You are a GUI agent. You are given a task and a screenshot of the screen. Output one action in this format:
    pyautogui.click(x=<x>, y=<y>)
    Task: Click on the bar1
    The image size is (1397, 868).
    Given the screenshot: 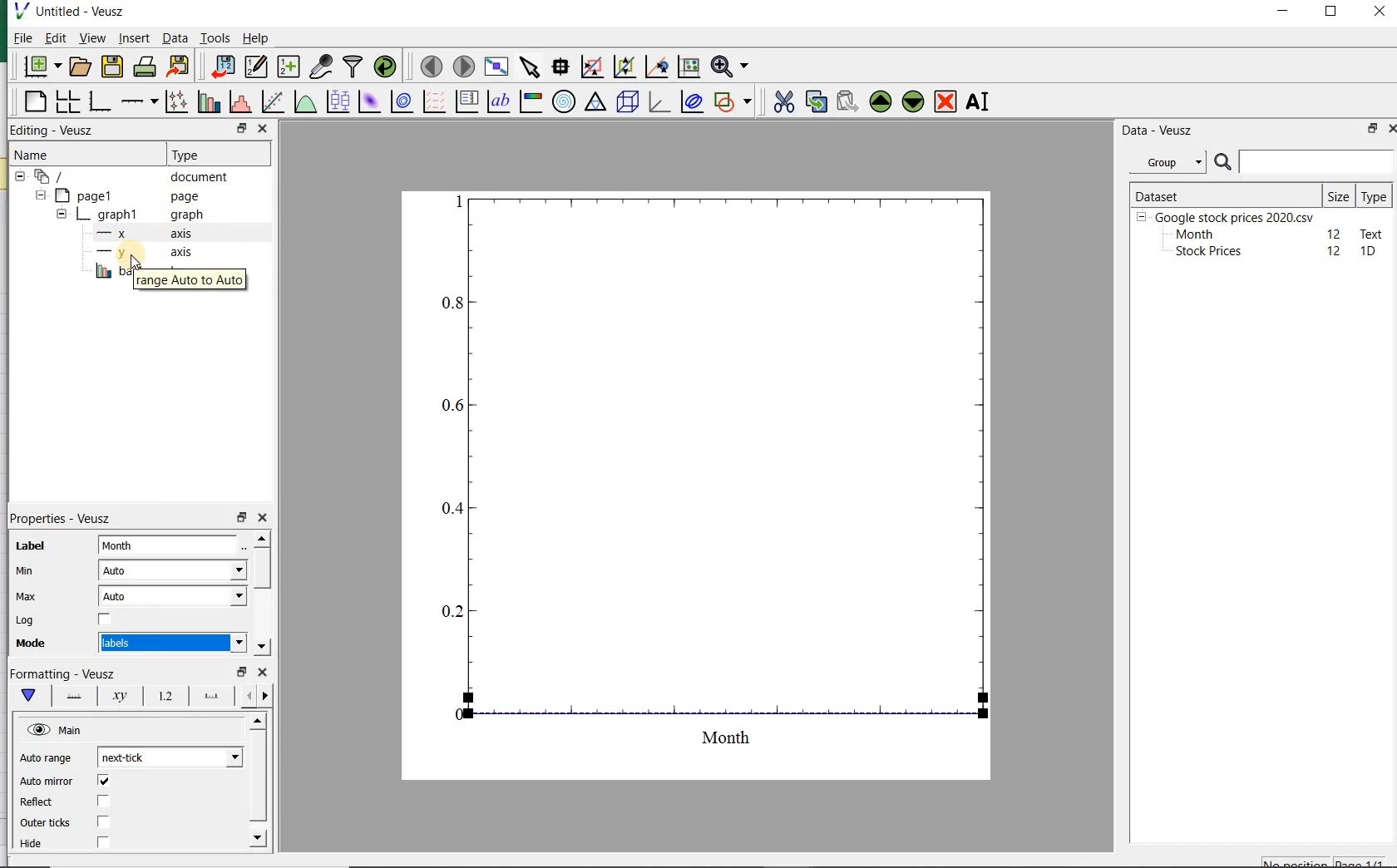 What is the action you would take?
    pyautogui.click(x=106, y=272)
    